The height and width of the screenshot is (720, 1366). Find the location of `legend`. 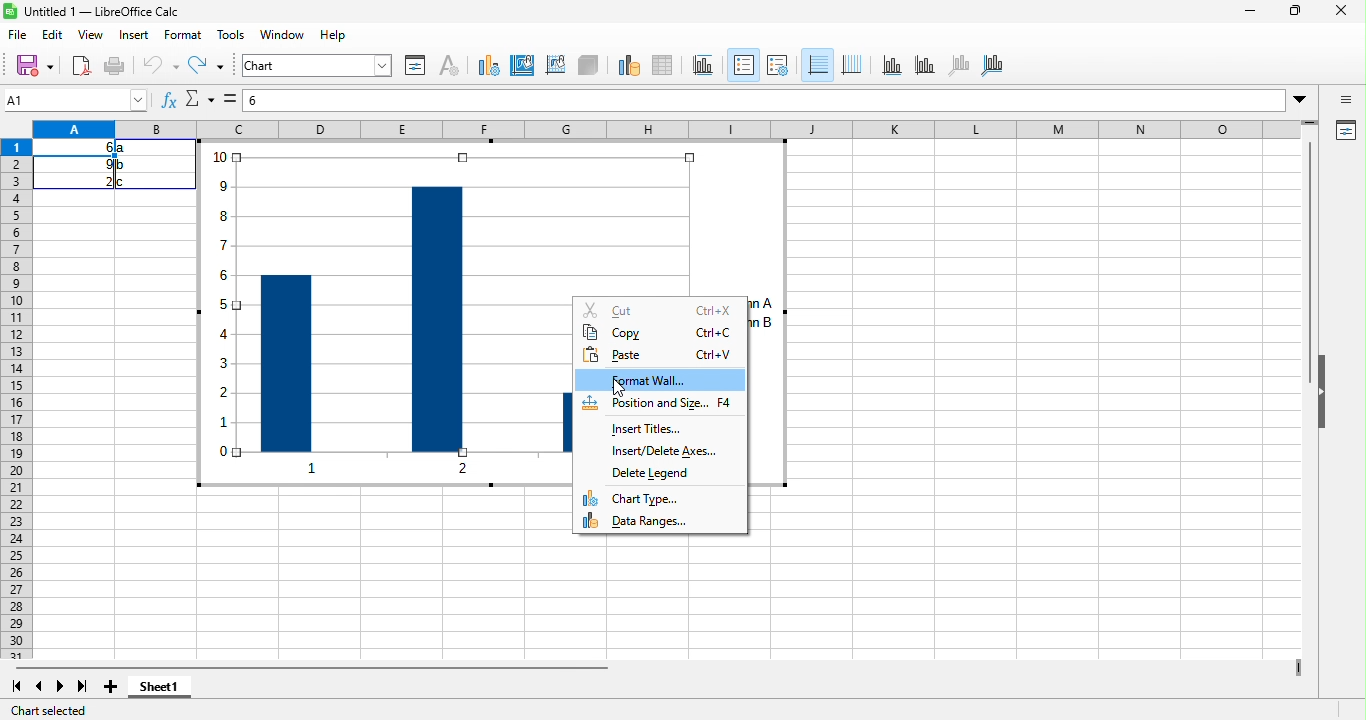

legend is located at coordinates (743, 64).